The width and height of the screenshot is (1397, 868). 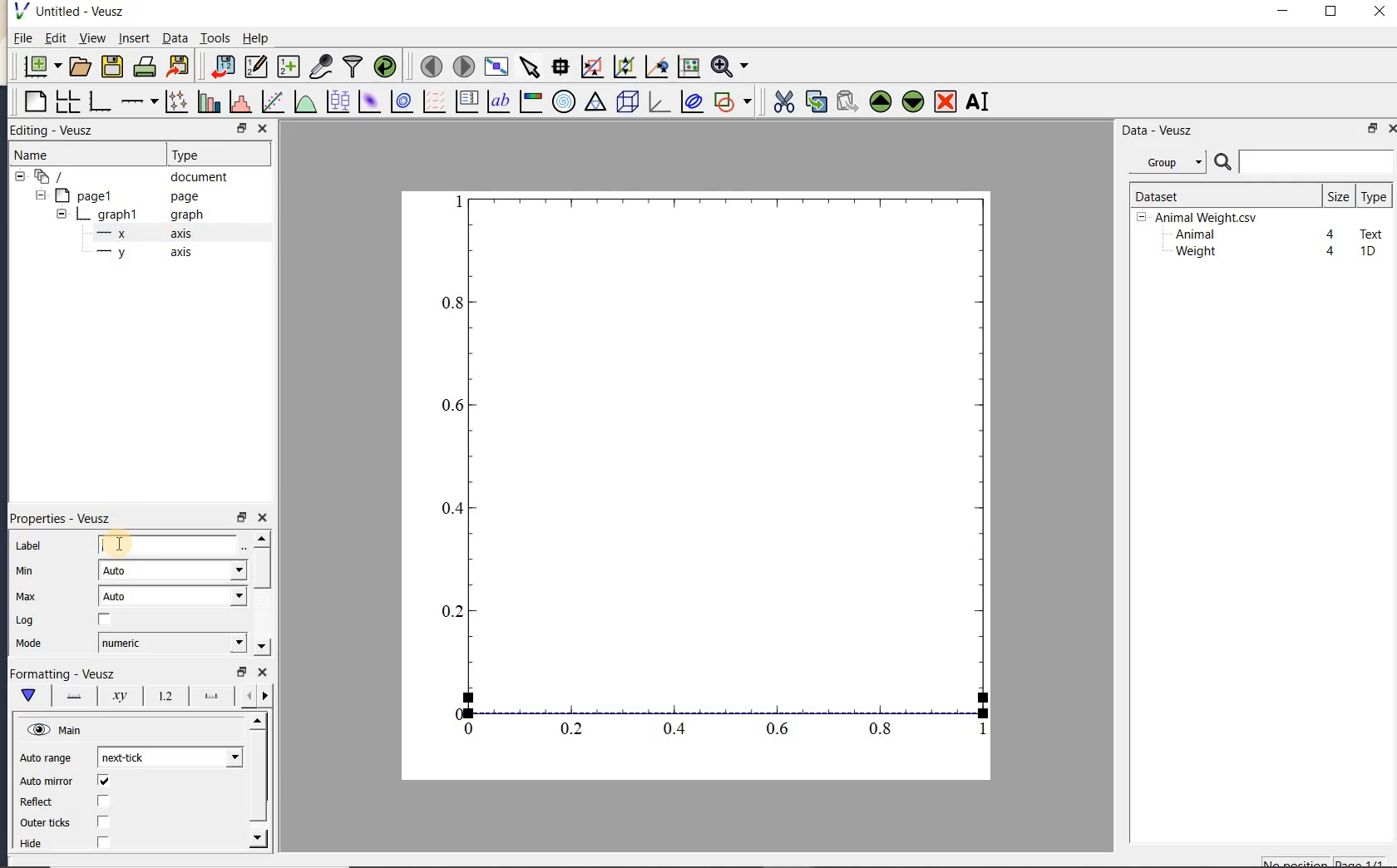 What do you see at coordinates (732, 101) in the screenshot?
I see `add a shape to the plot` at bounding box center [732, 101].